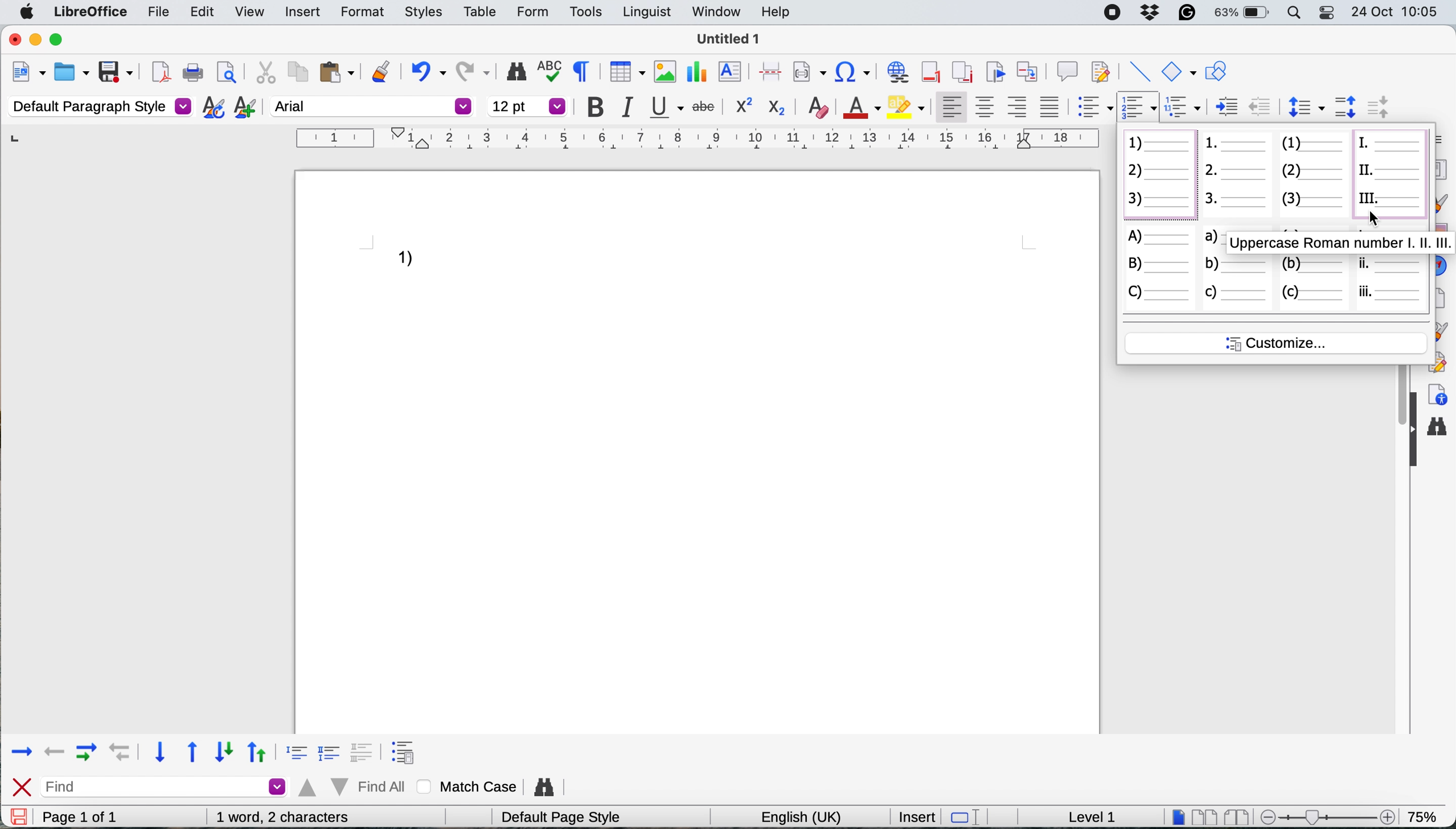 The height and width of the screenshot is (829, 1456). Describe the element at coordinates (249, 14) in the screenshot. I see `view` at that location.